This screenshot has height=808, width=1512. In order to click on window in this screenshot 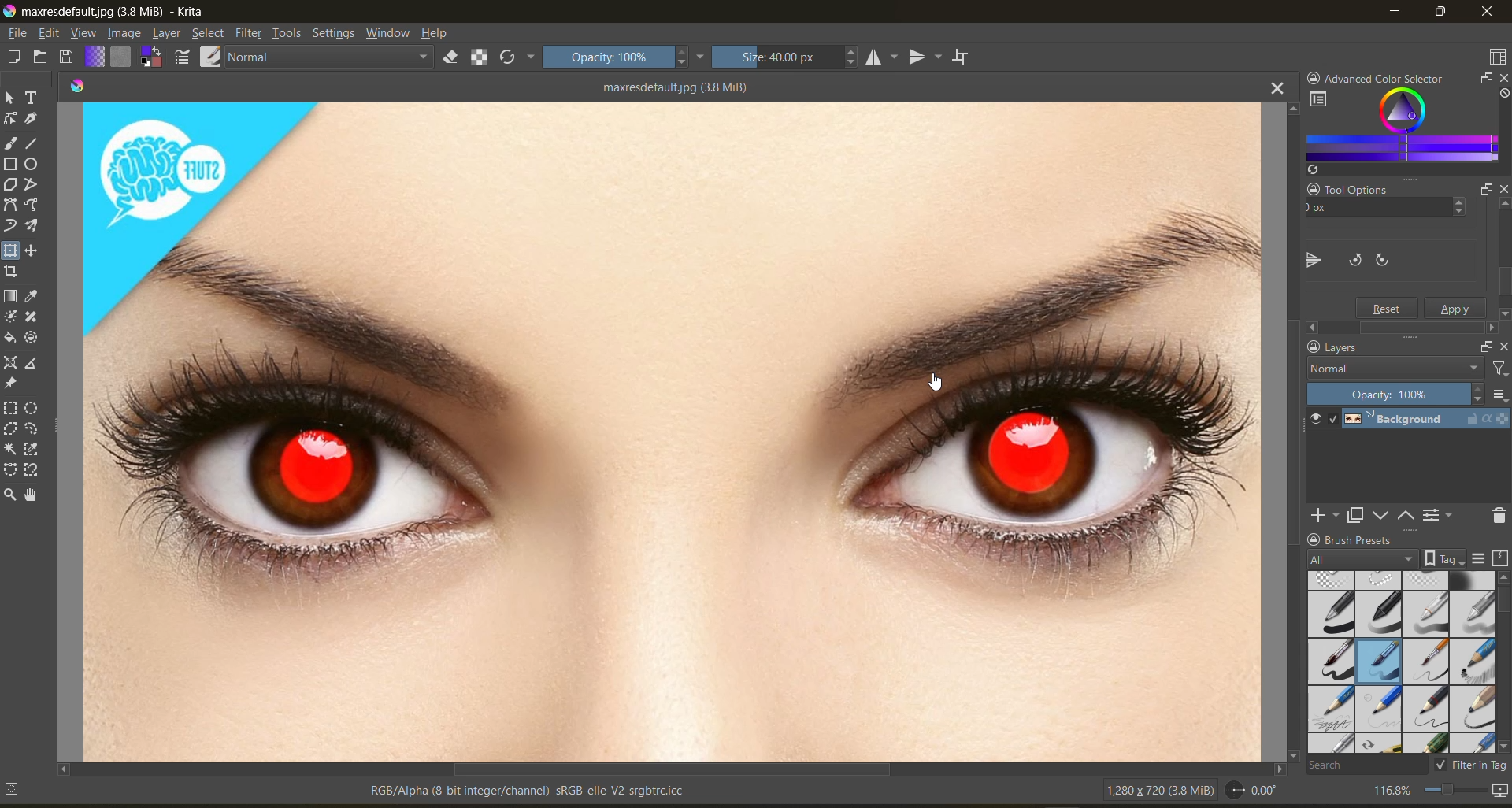, I will do `click(391, 35)`.